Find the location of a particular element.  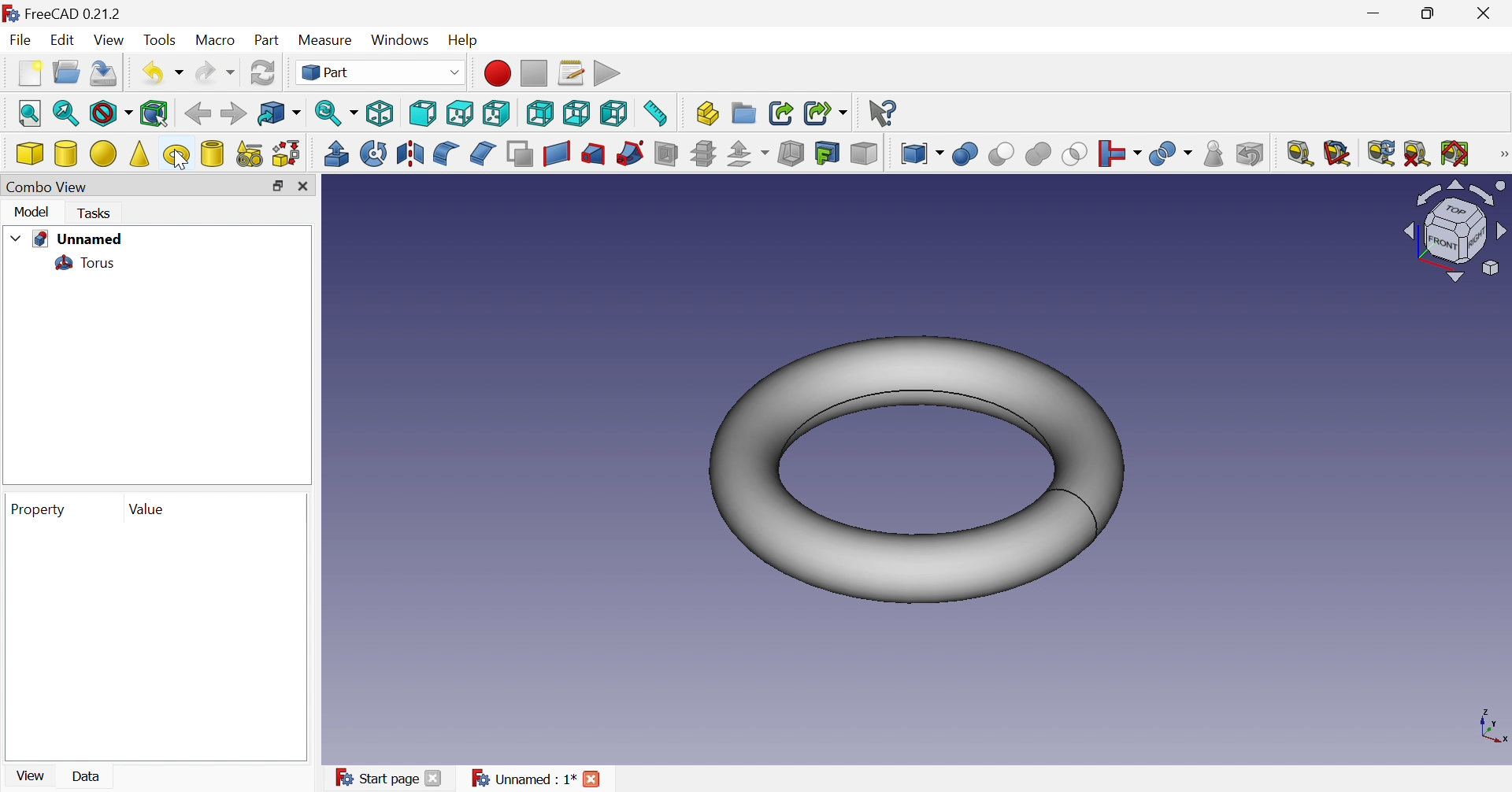

Fillet... is located at coordinates (444, 154).